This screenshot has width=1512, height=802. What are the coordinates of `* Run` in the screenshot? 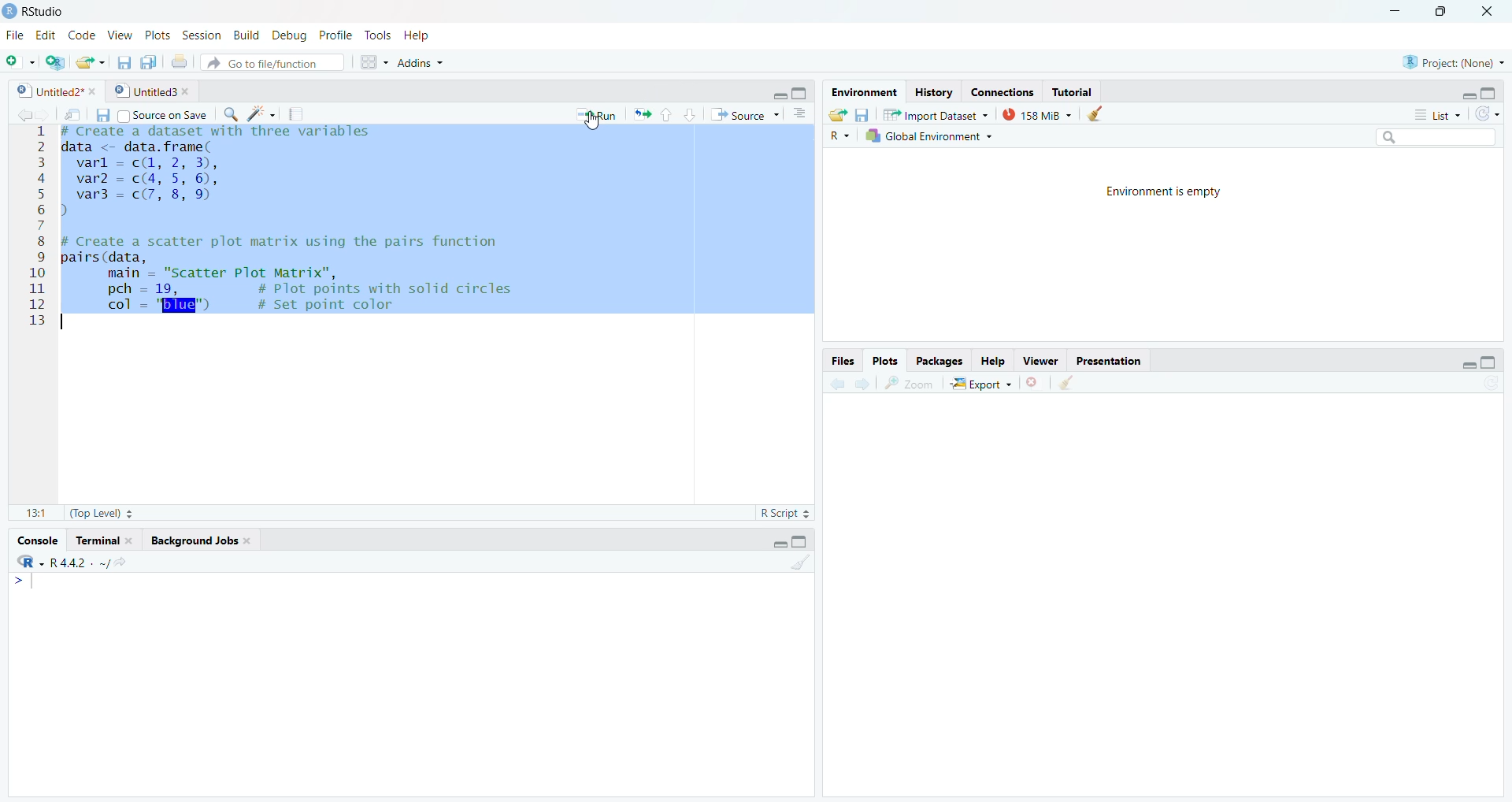 It's located at (595, 113).